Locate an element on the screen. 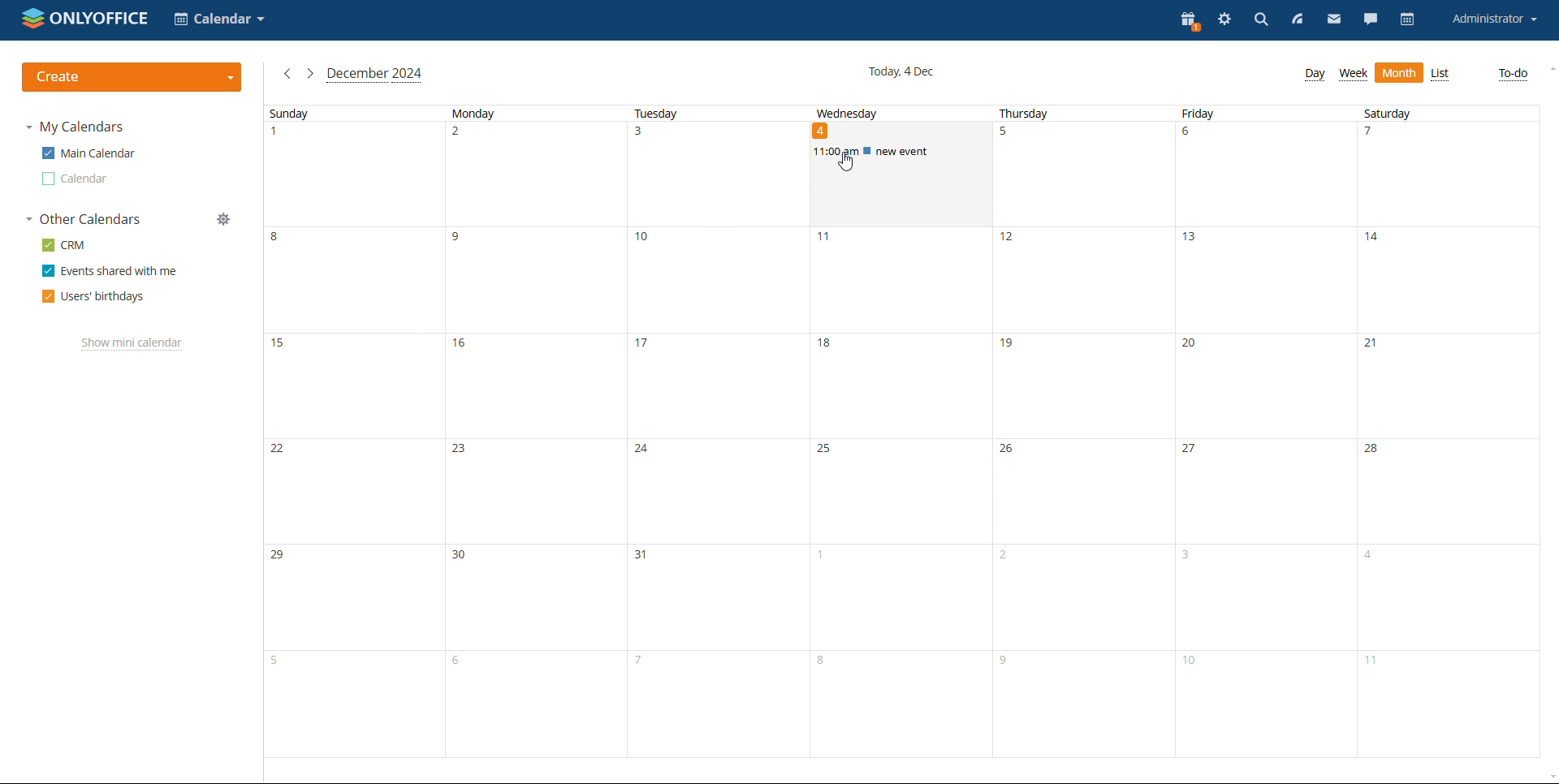 This screenshot has width=1559, height=784. current date is located at coordinates (901, 72).